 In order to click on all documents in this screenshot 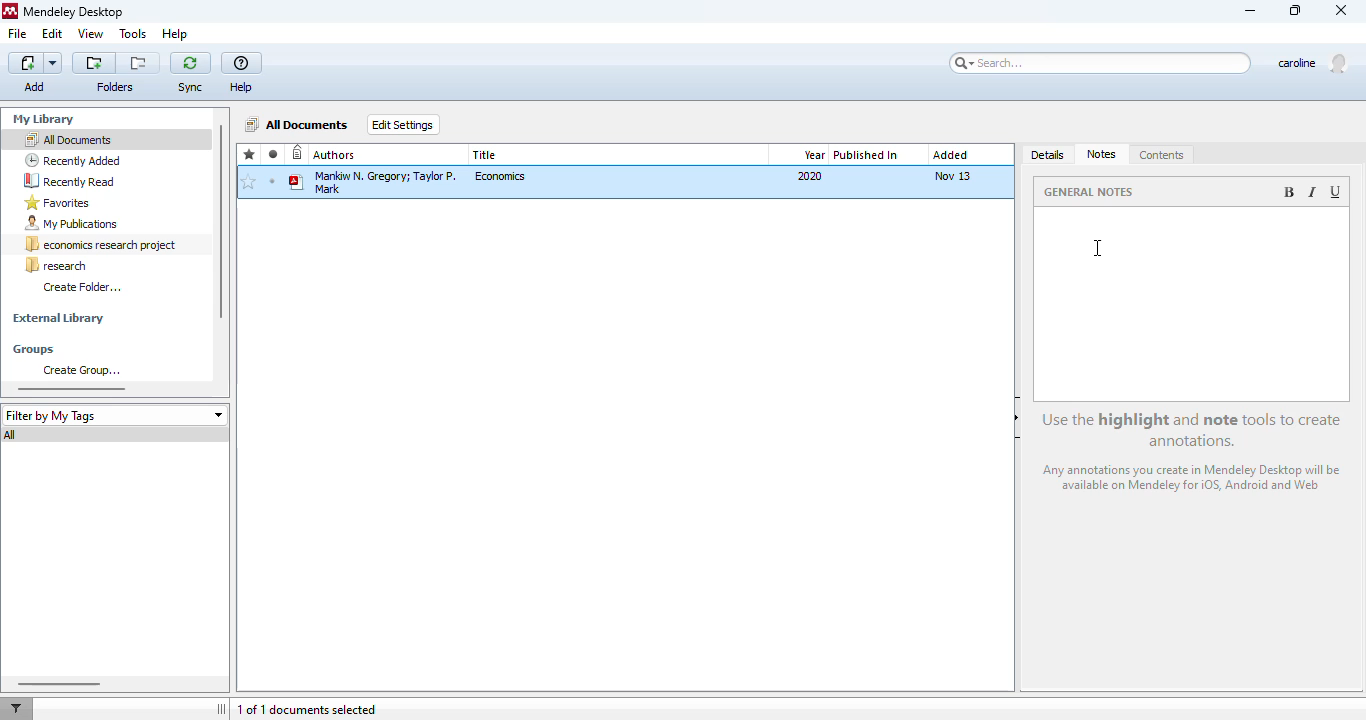, I will do `click(67, 139)`.